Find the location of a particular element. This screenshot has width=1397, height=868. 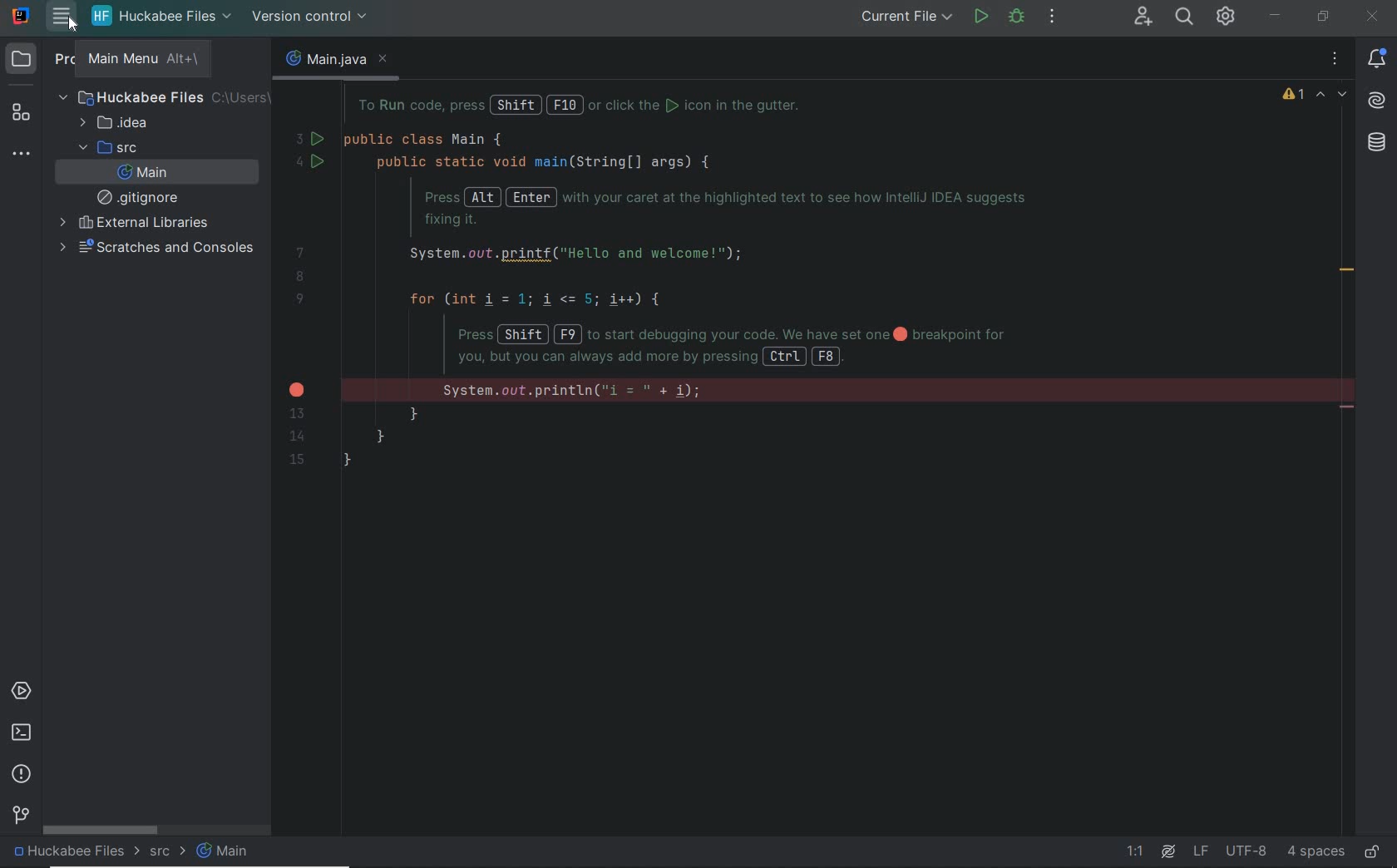

main.java is located at coordinates (334, 63).